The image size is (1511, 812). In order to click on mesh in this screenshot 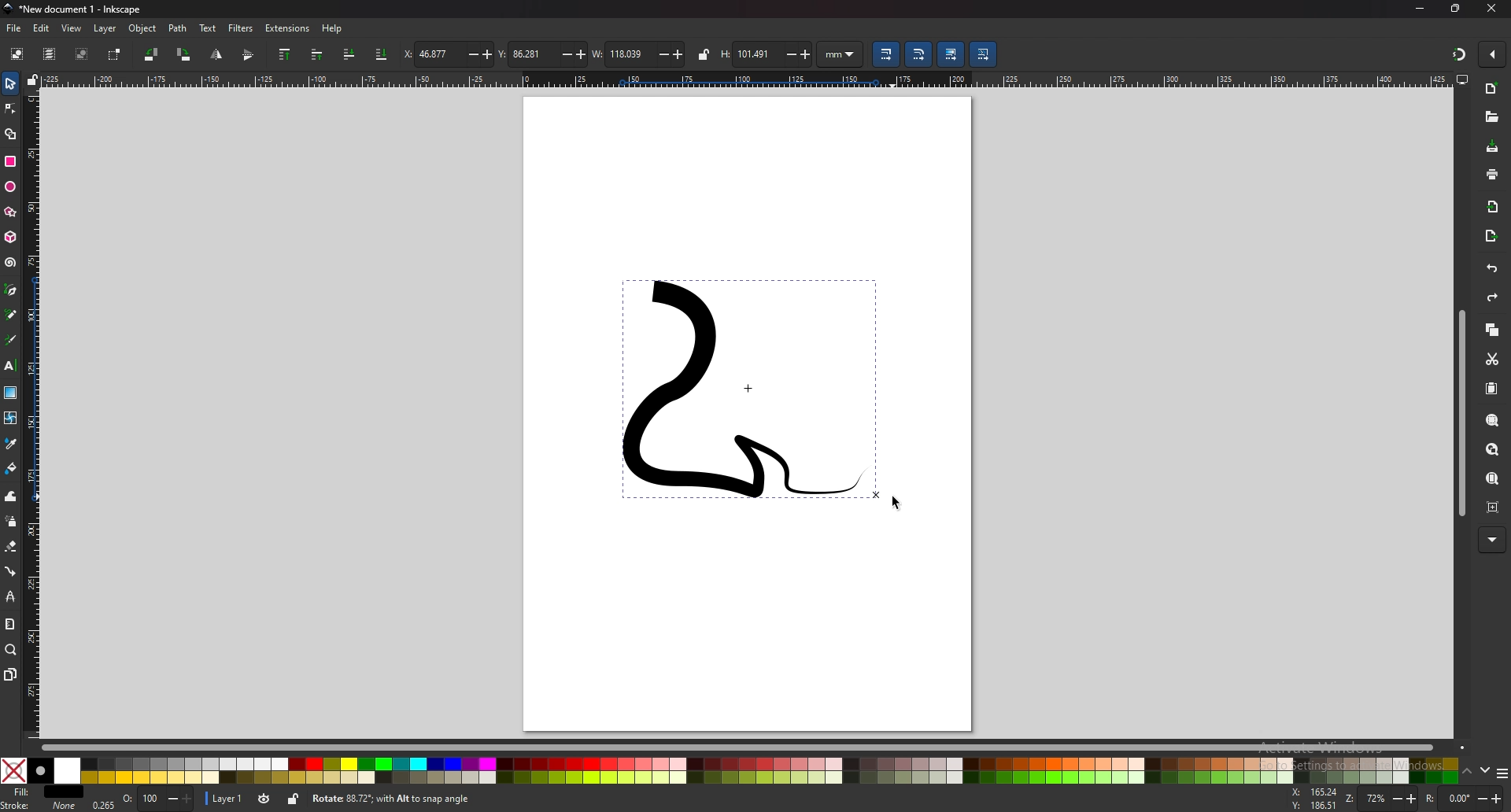, I will do `click(10, 416)`.